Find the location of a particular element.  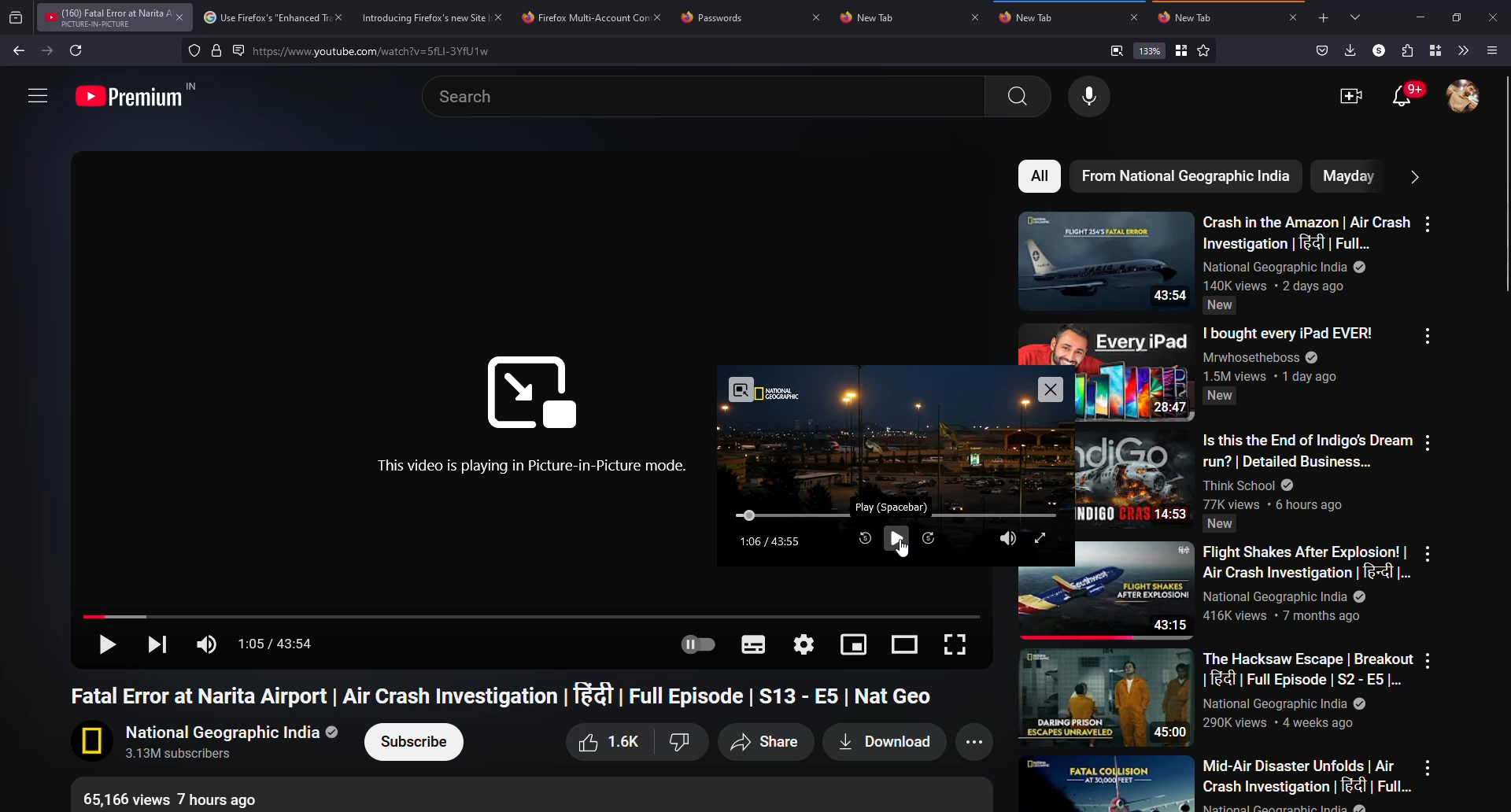

close is located at coordinates (337, 17).